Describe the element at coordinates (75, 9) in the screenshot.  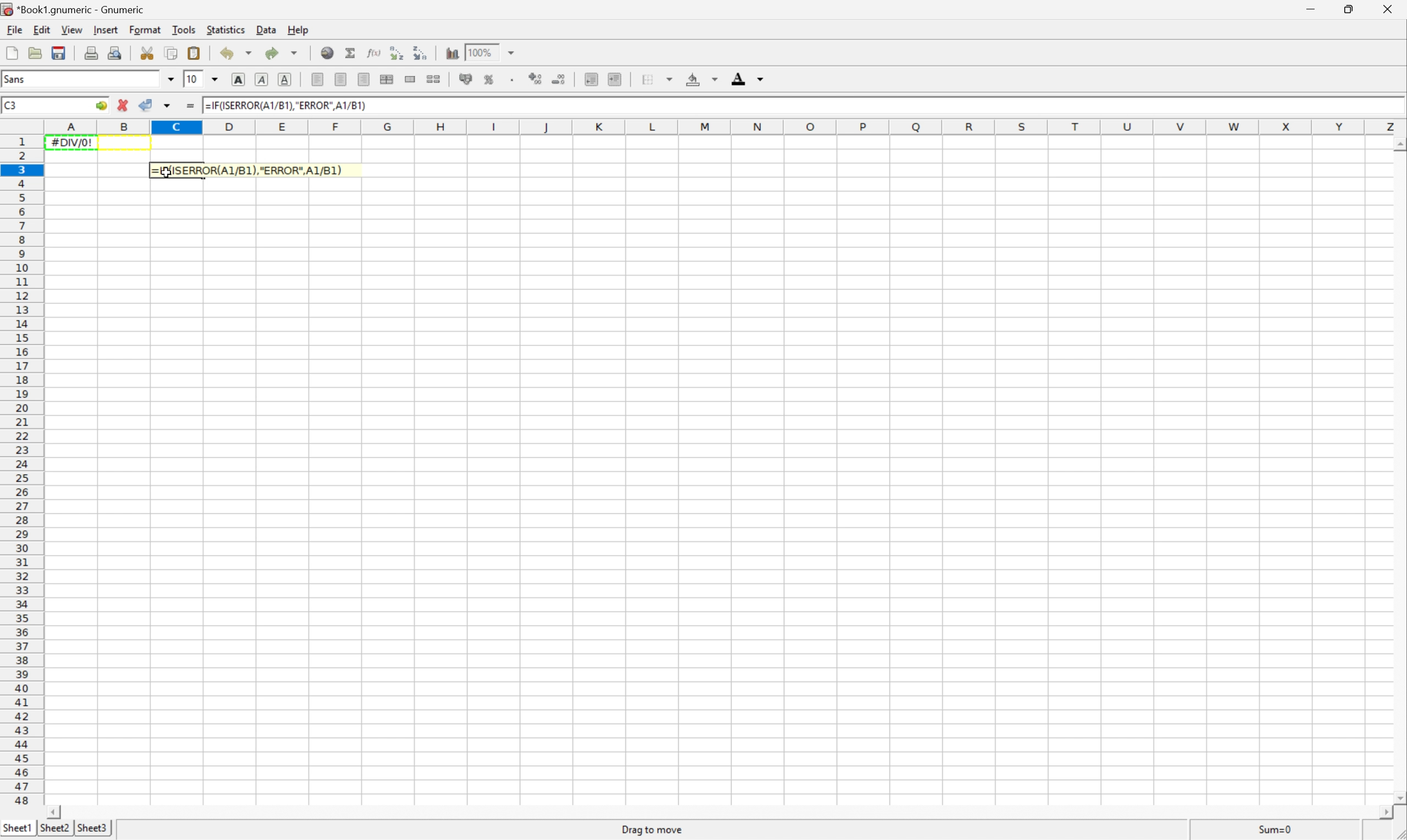
I see `*Book1.gnumeric - Gnumeric` at that location.